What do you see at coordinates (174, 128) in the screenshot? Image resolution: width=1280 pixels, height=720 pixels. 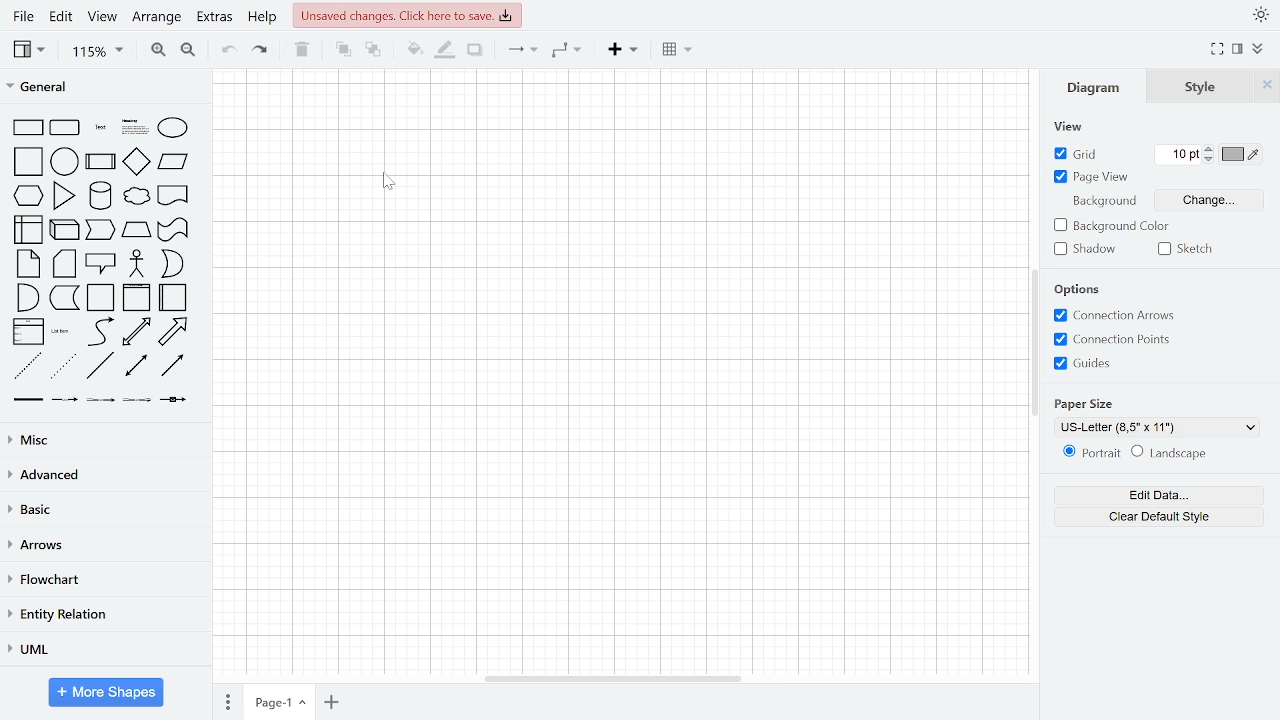 I see `ellipse` at bounding box center [174, 128].